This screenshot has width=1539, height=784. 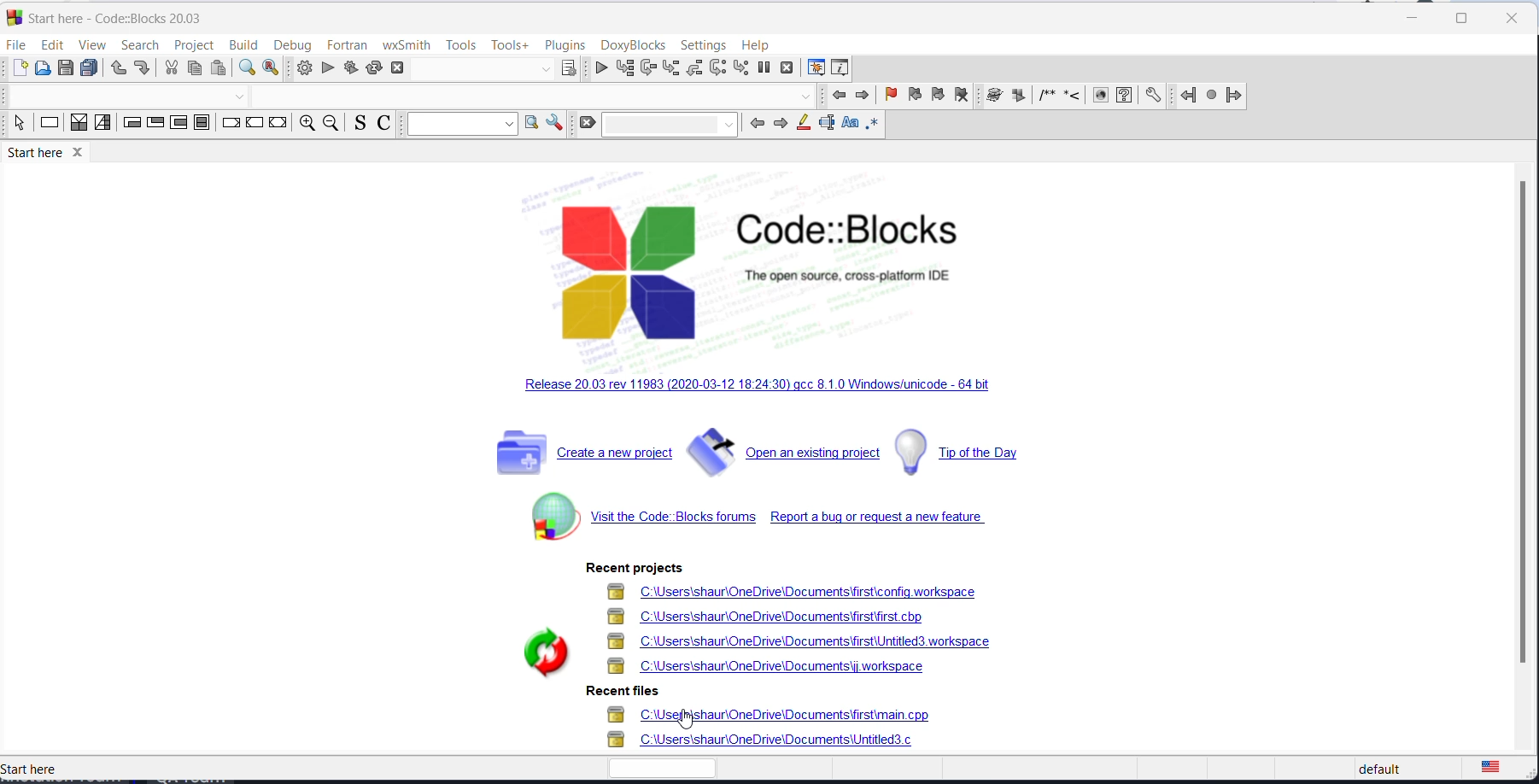 What do you see at coordinates (202, 123) in the screenshot?
I see `block instruction` at bounding box center [202, 123].